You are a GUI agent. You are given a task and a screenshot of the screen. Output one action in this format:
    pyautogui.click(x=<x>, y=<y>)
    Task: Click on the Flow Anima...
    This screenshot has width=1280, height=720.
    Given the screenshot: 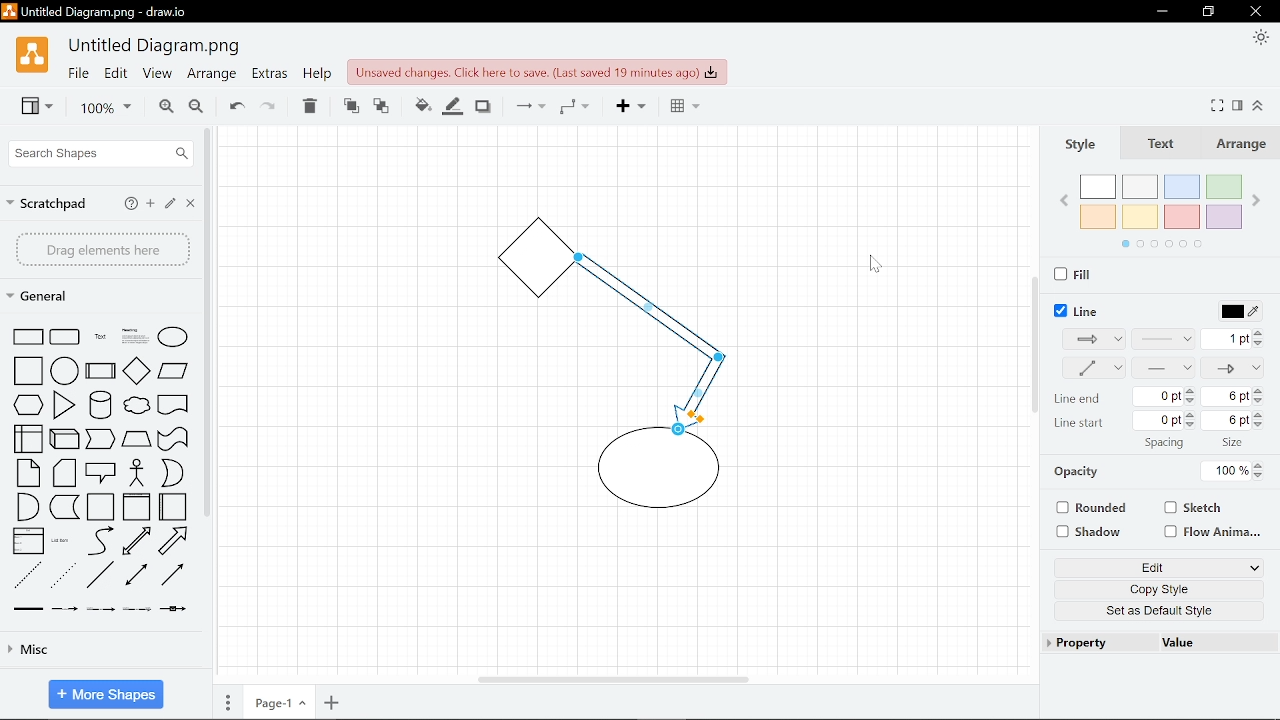 What is the action you would take?
    pyautogui.click(x=1215, y=531)
    